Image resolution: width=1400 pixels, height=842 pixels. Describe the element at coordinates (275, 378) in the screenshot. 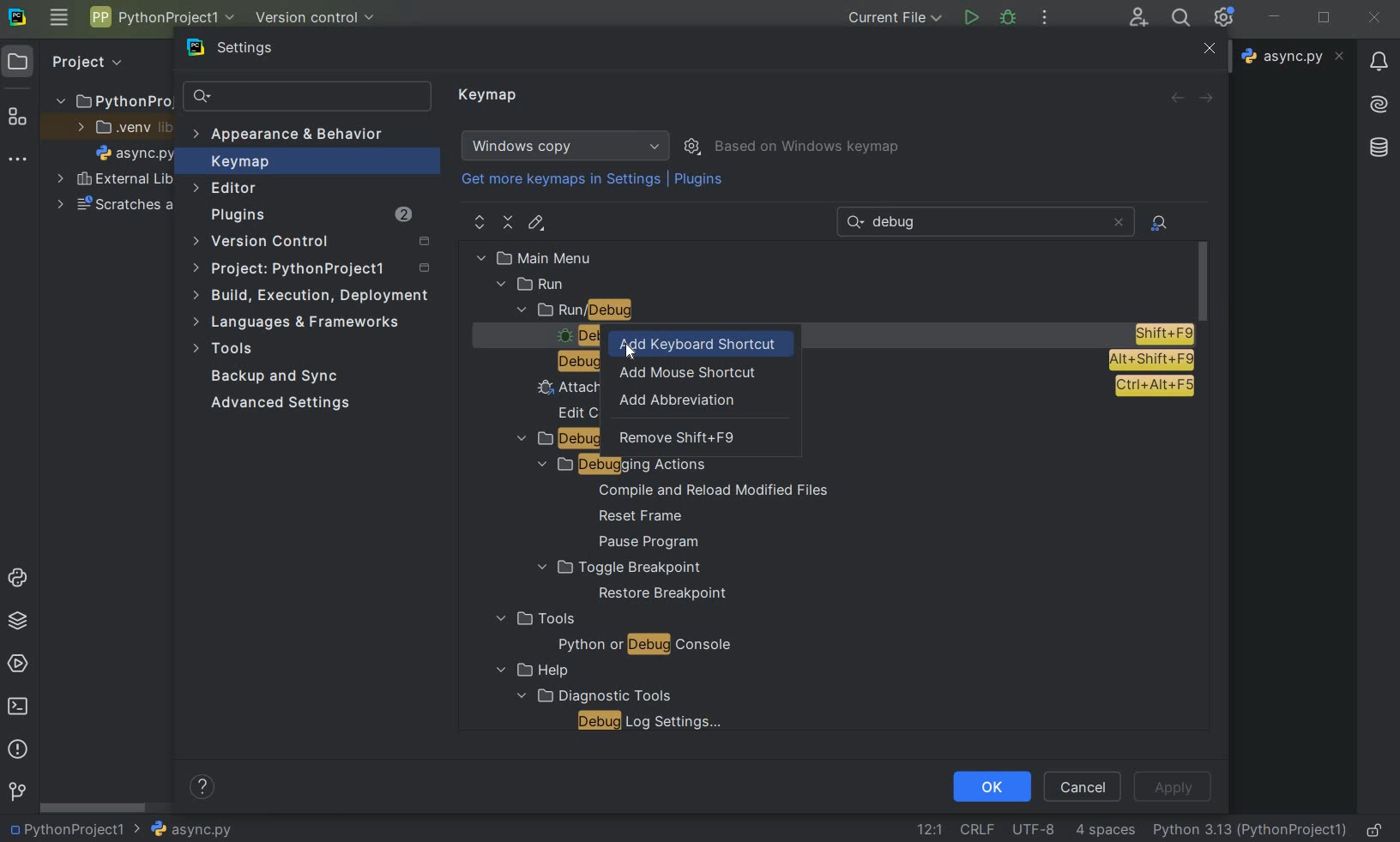

I see `backup and sync` at that location.